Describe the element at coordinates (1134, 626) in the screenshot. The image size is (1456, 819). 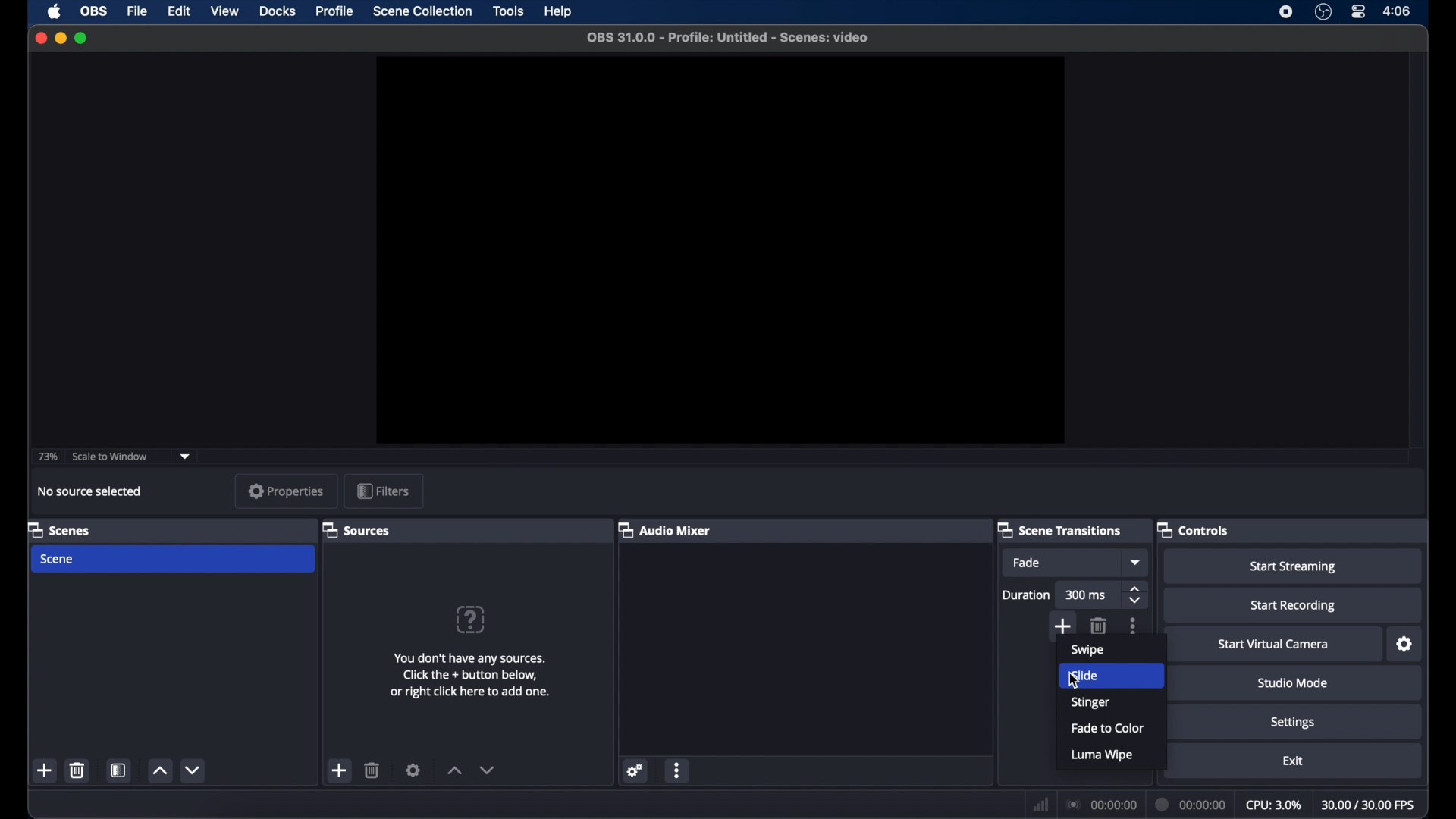
I see `moreoptions` at that location.